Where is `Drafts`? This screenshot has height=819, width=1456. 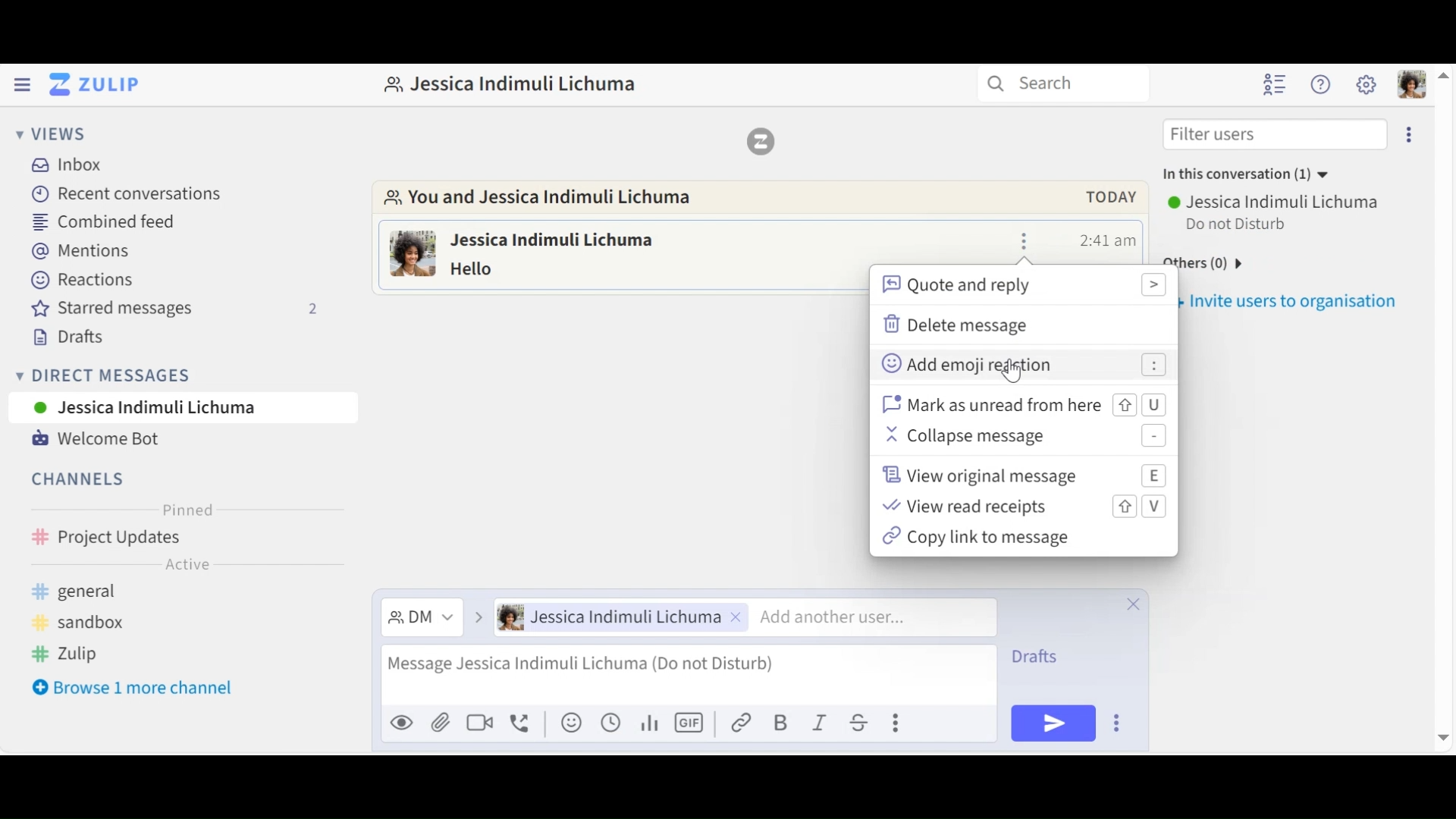
Drafts is located at coordinates (1048, 657).